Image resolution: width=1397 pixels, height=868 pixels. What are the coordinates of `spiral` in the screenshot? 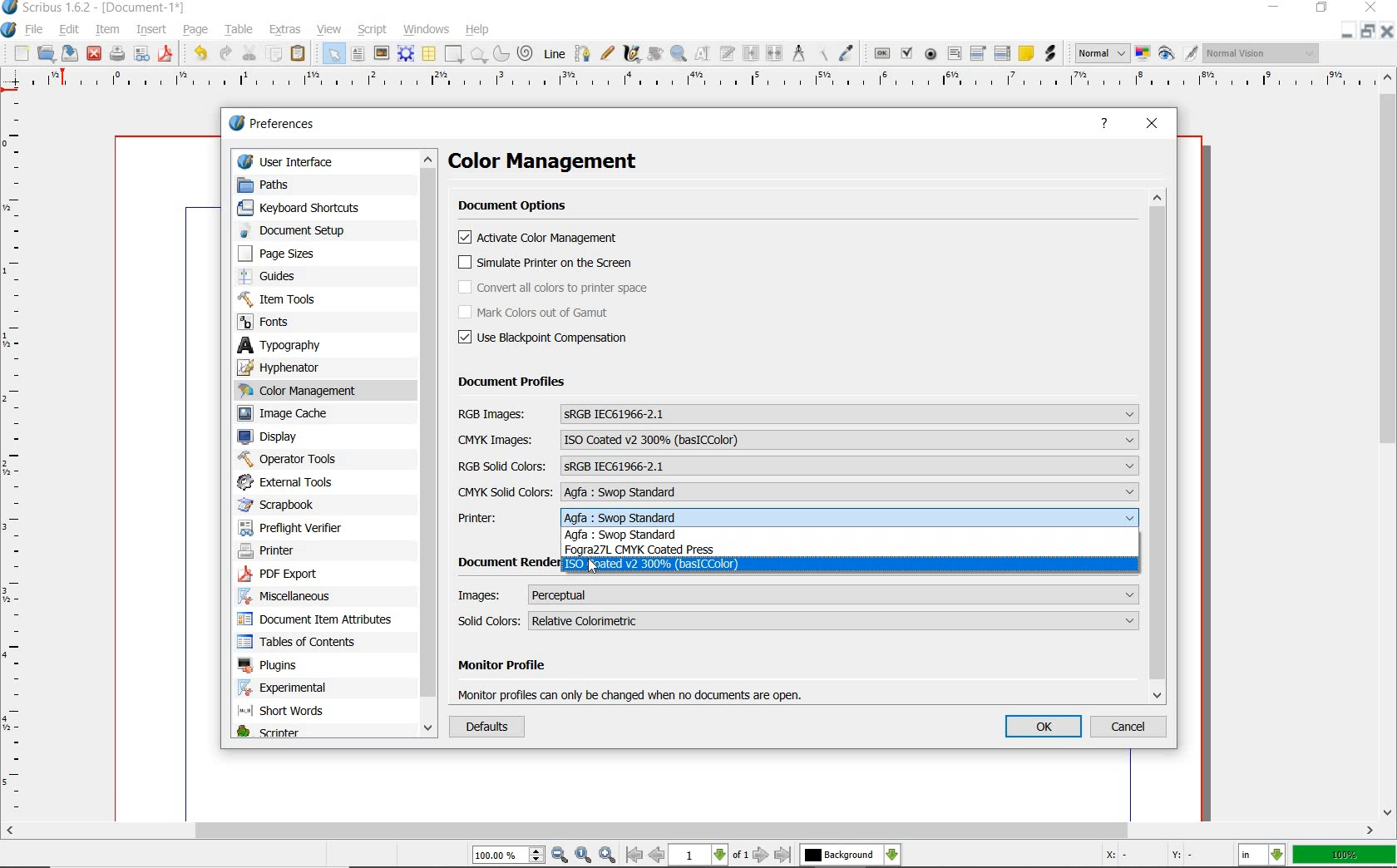 It's located at (526, 52).